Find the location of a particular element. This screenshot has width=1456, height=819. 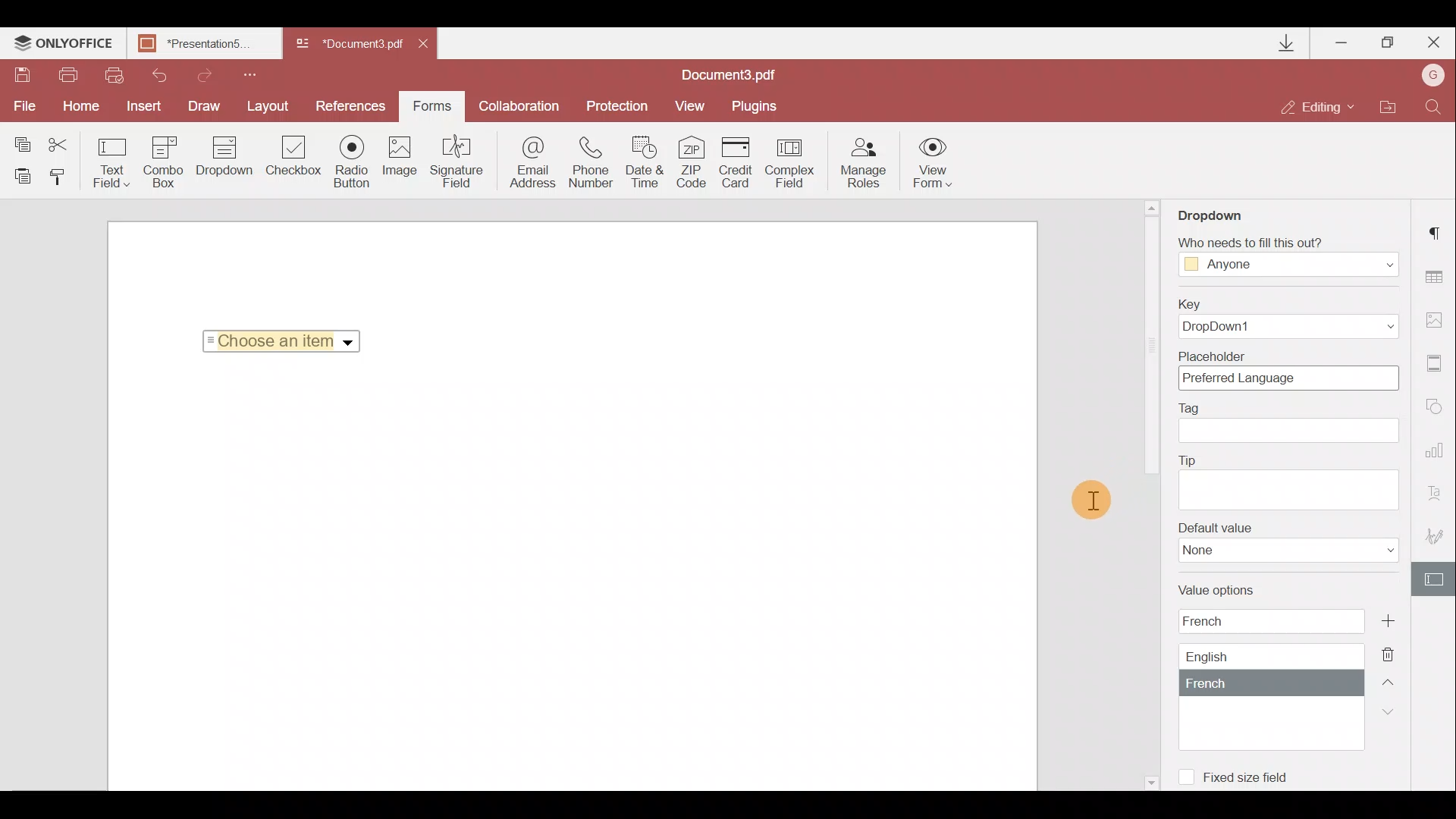

Phone number is located at coordinates (593, 163).